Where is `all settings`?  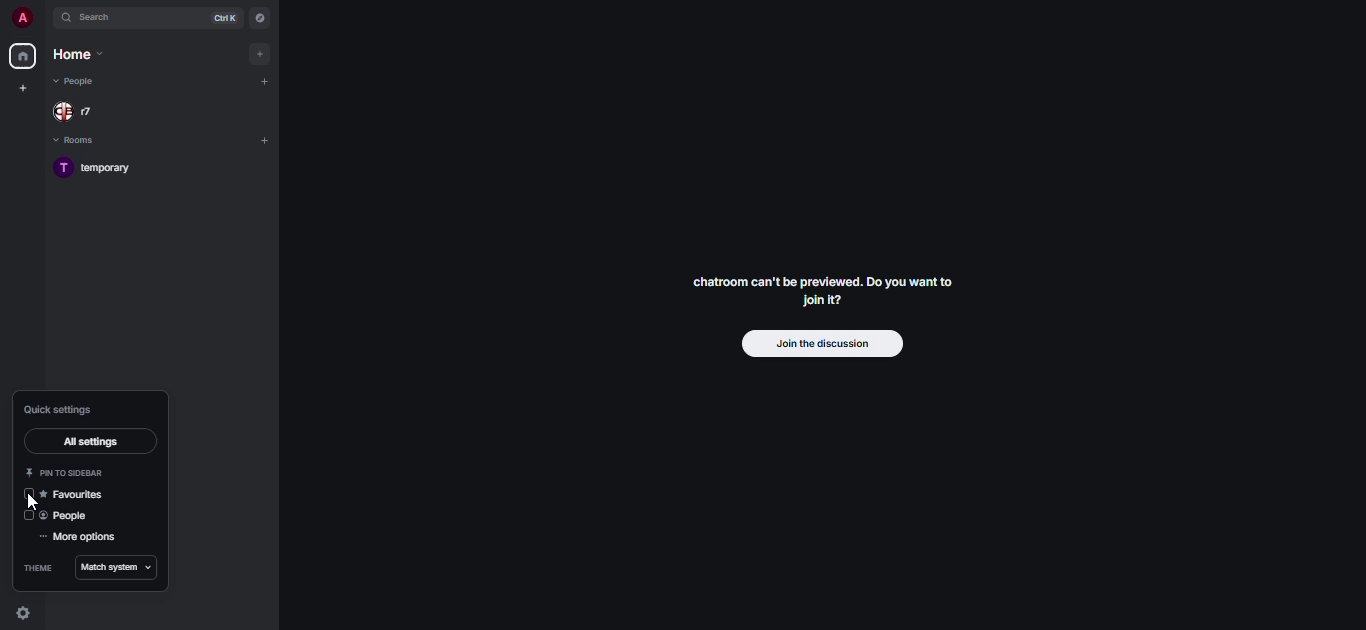
all settings is located at coordinates (86, 441).